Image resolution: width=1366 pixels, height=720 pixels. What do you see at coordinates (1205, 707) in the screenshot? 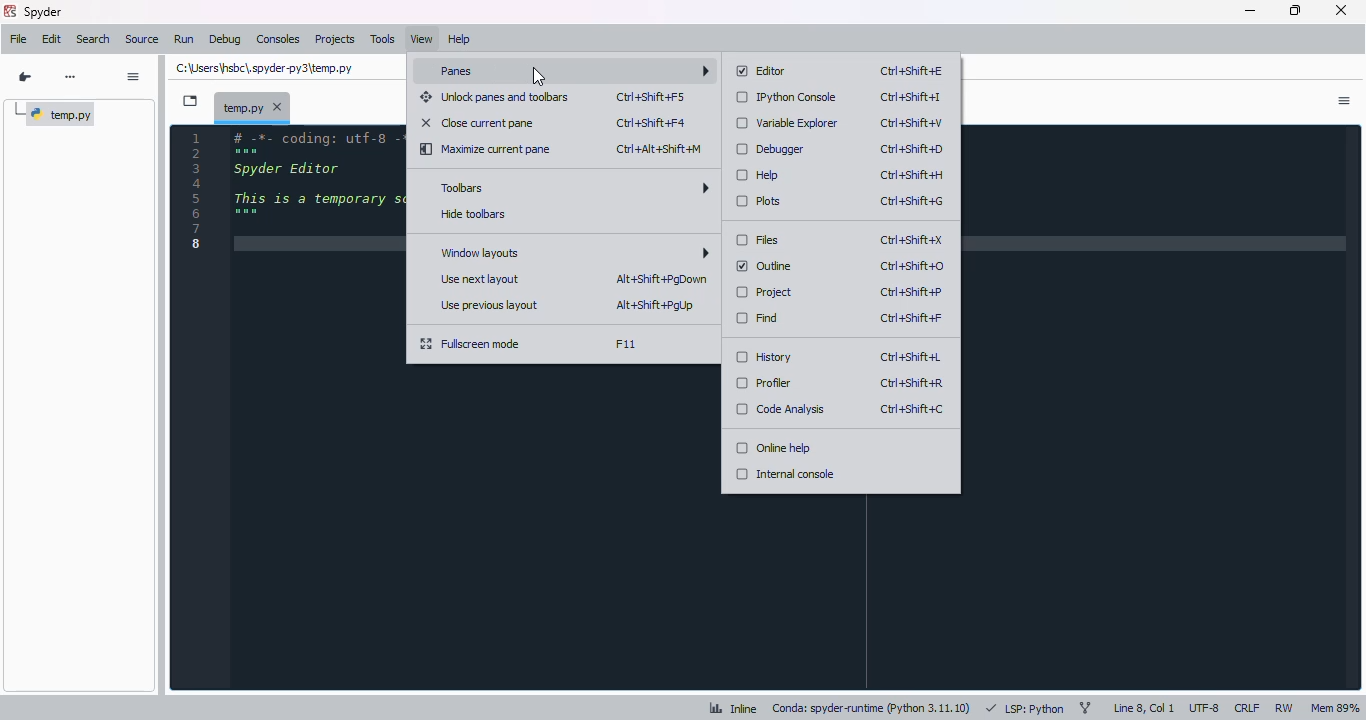
I see `UTF-8` at bounding box center [1205, 707].